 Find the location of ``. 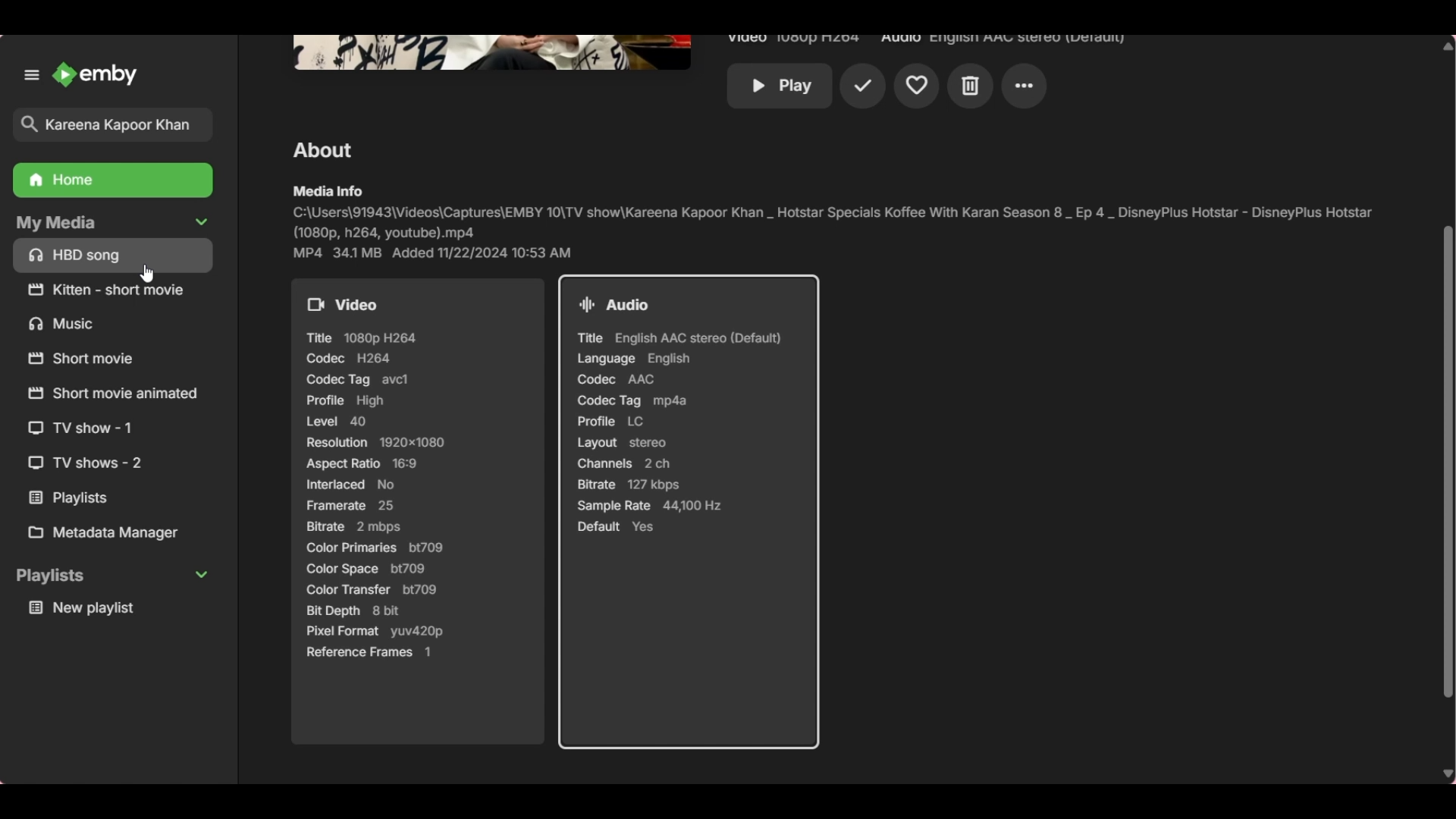

 is located at coordinates (193, 292).